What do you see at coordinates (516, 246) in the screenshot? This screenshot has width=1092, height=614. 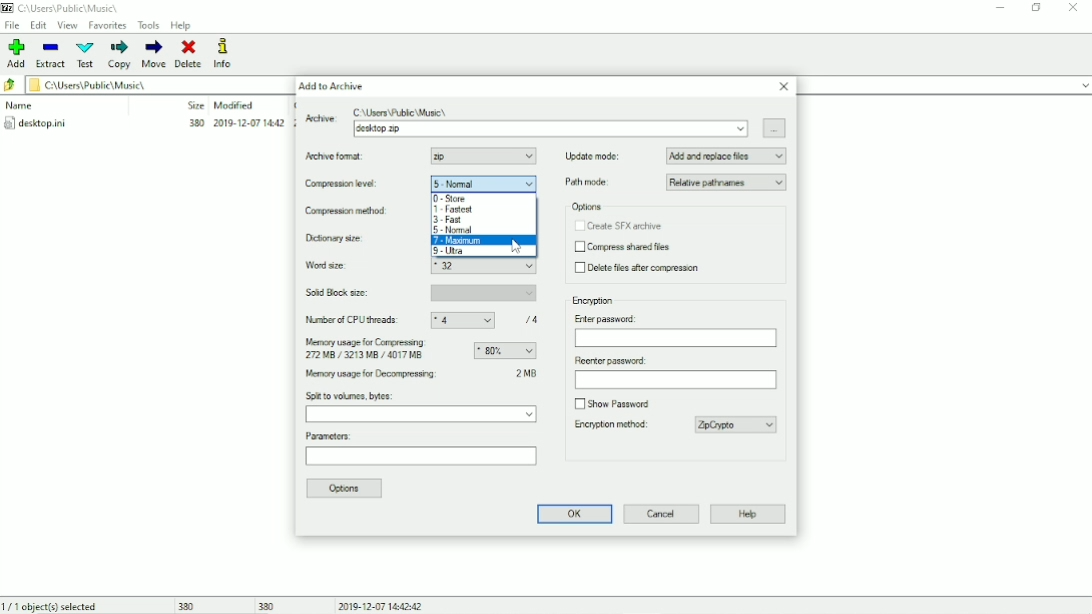 I see `Cursor` at bounding box center [516, 246].